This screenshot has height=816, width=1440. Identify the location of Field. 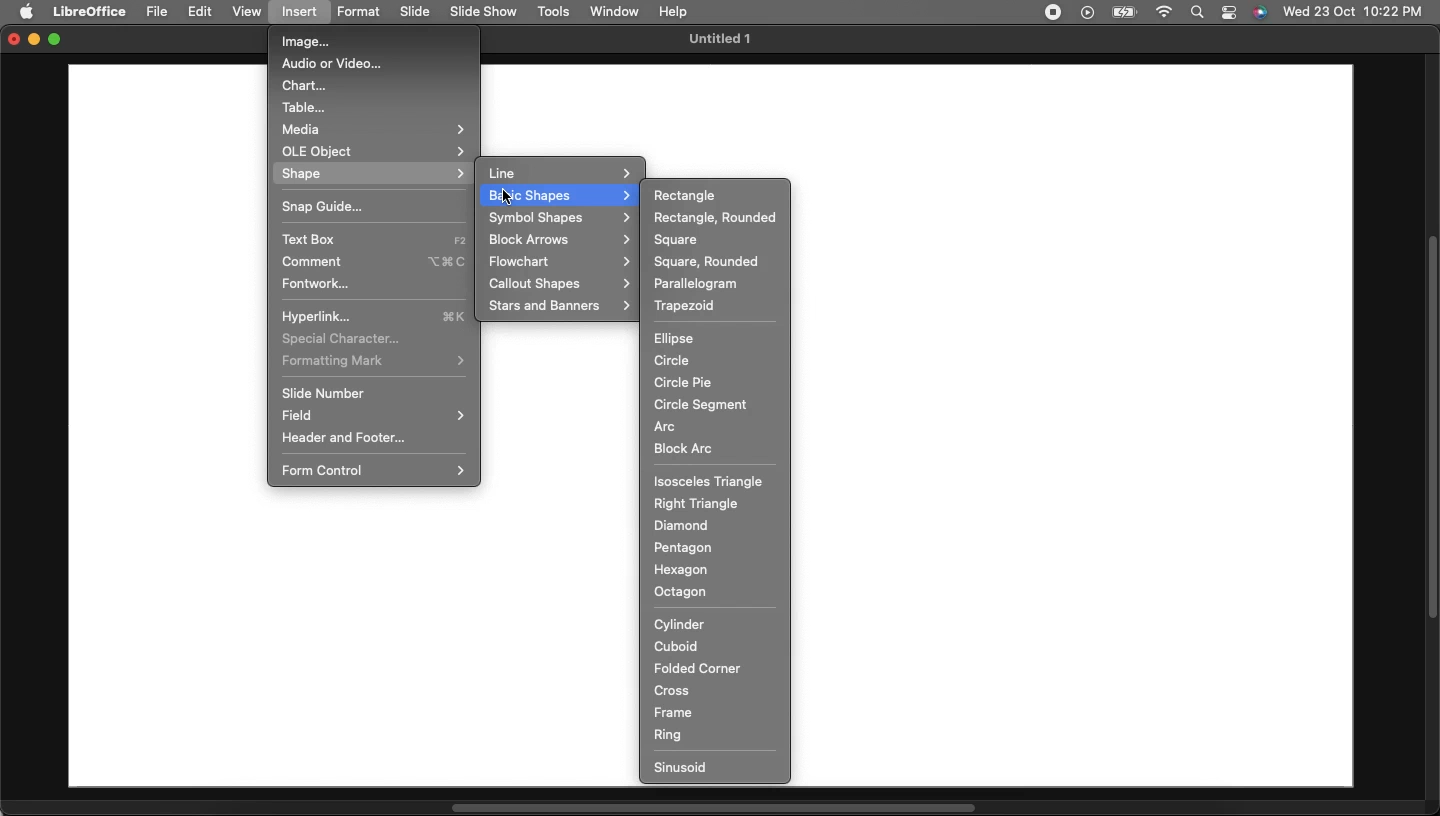
(374, 416).